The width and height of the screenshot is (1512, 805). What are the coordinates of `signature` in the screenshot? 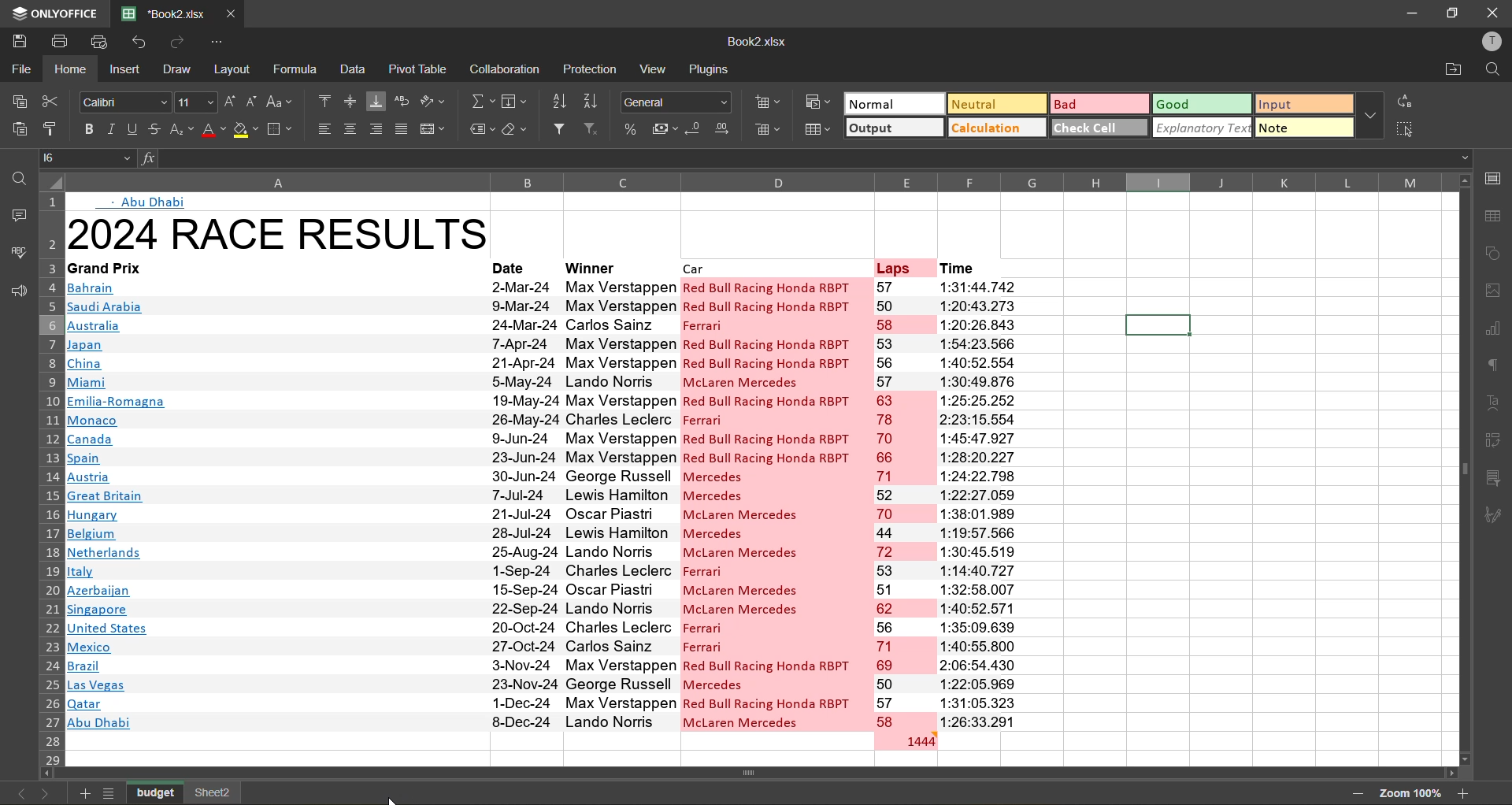 It's located at (1497, 516).